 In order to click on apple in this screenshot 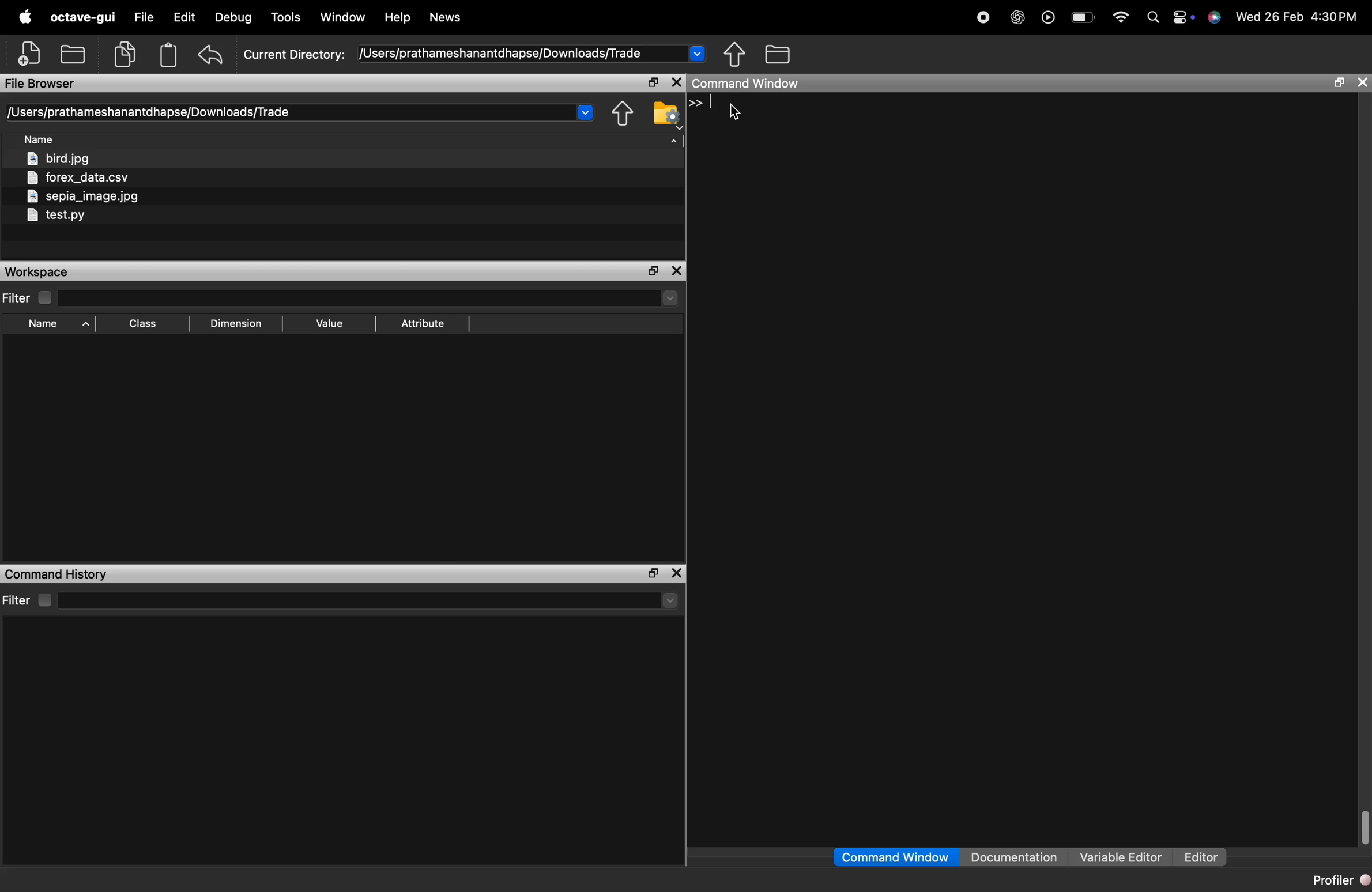, I will do `click(24, 16)`.